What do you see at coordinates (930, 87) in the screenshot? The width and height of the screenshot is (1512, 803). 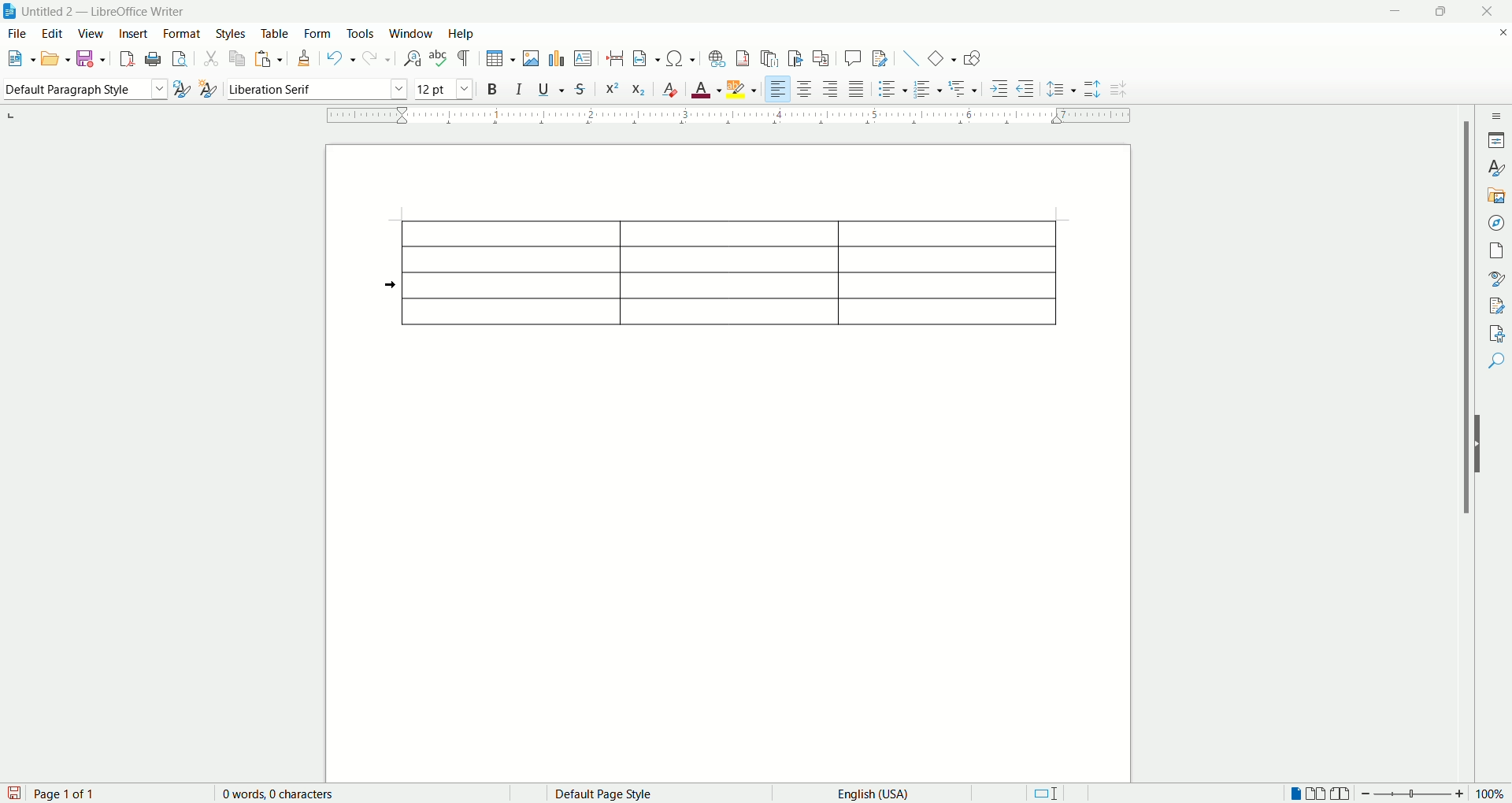 I see `ordered list` at bounding box center [930, 87].